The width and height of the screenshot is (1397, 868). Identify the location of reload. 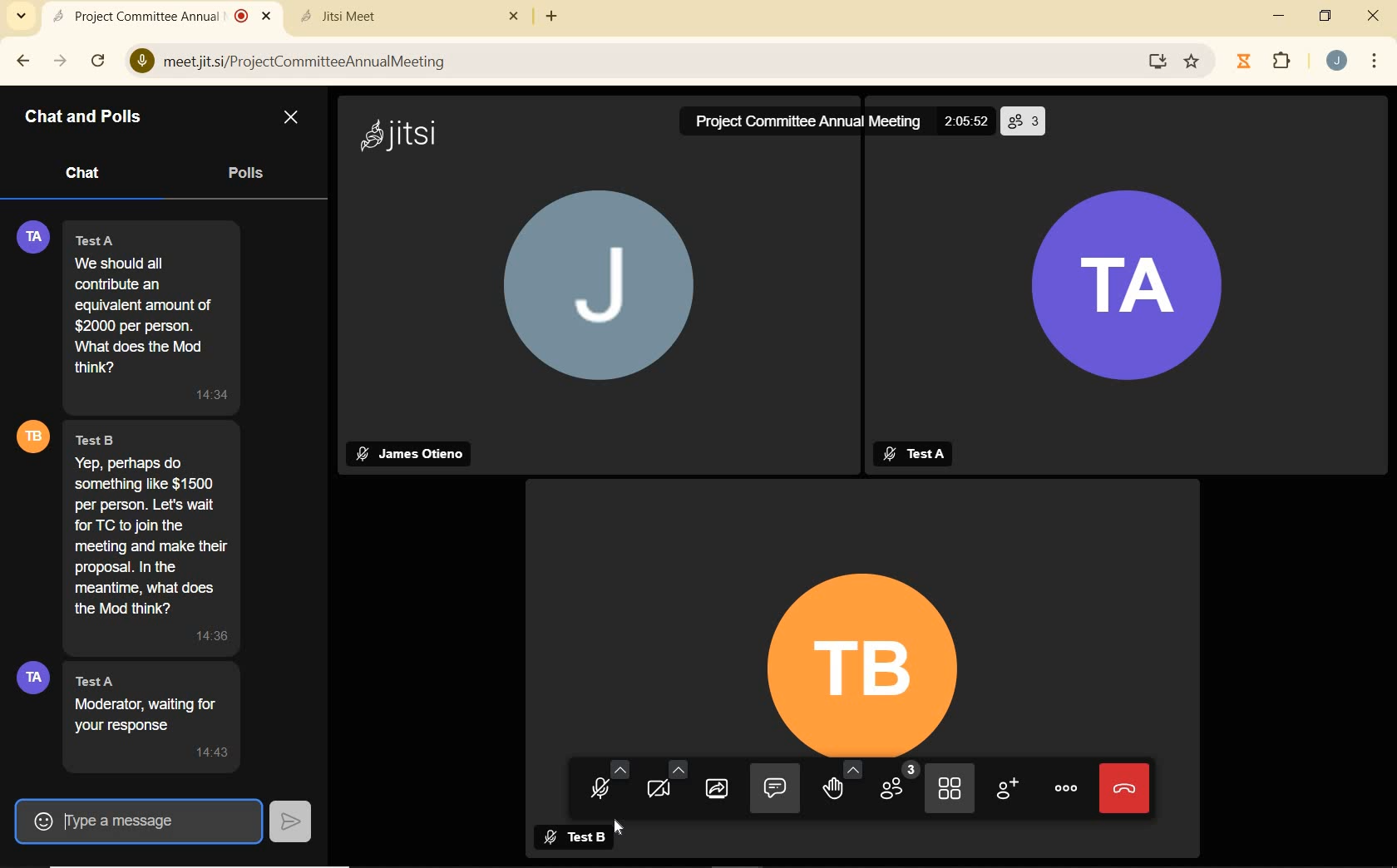
(96, 60).